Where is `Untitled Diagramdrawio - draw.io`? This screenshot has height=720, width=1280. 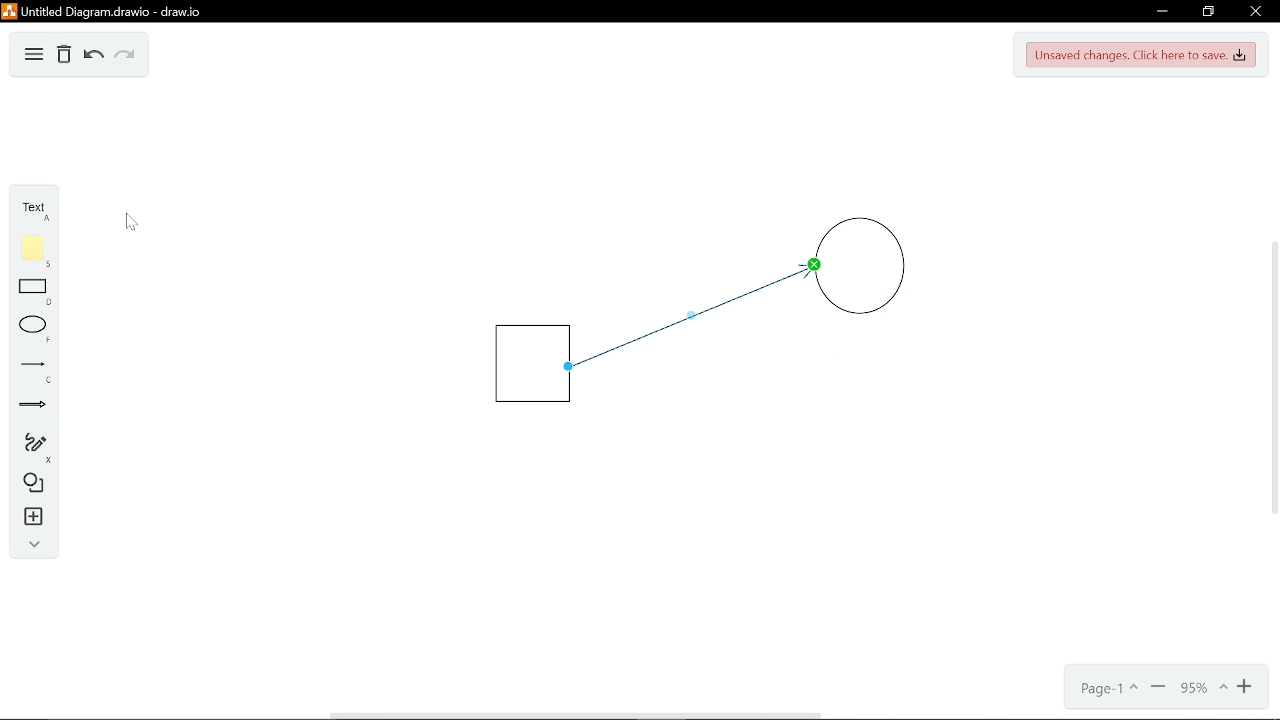 Untitled Diagramdrawio - draw.io is located at coordinates (104, 11).